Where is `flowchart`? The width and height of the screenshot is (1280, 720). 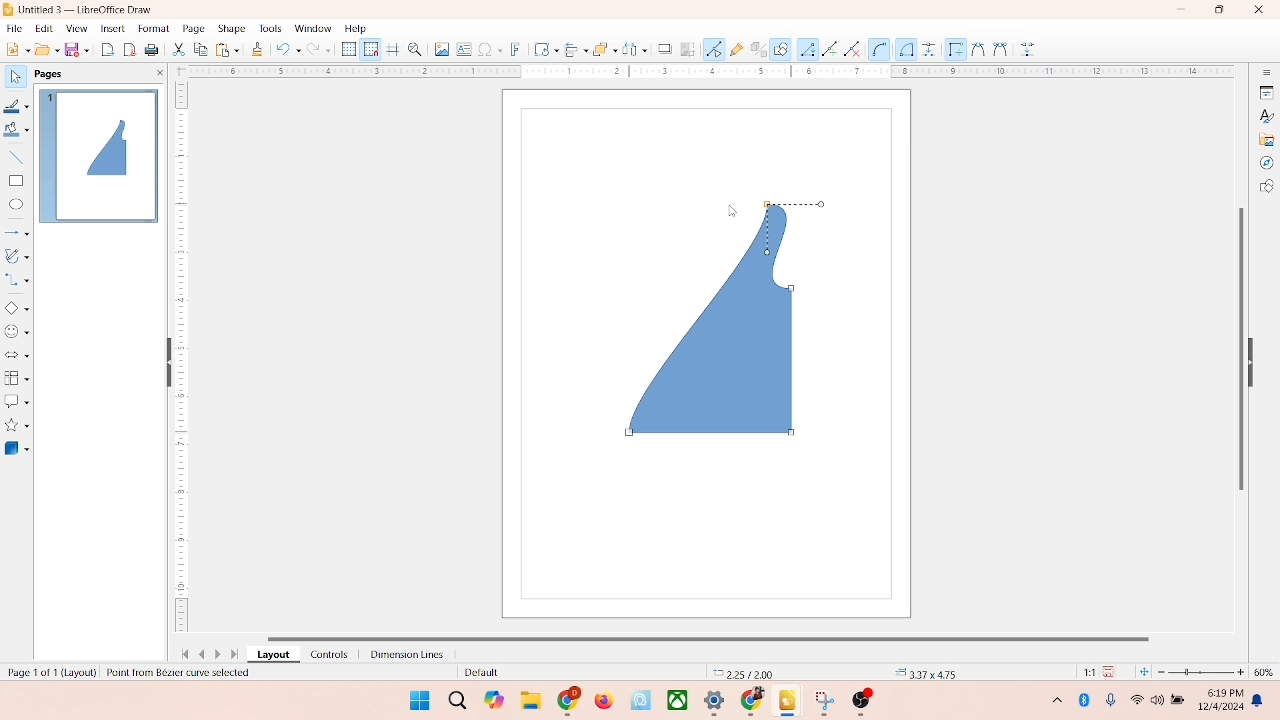
flowchart is located at coordinates (16, 378).